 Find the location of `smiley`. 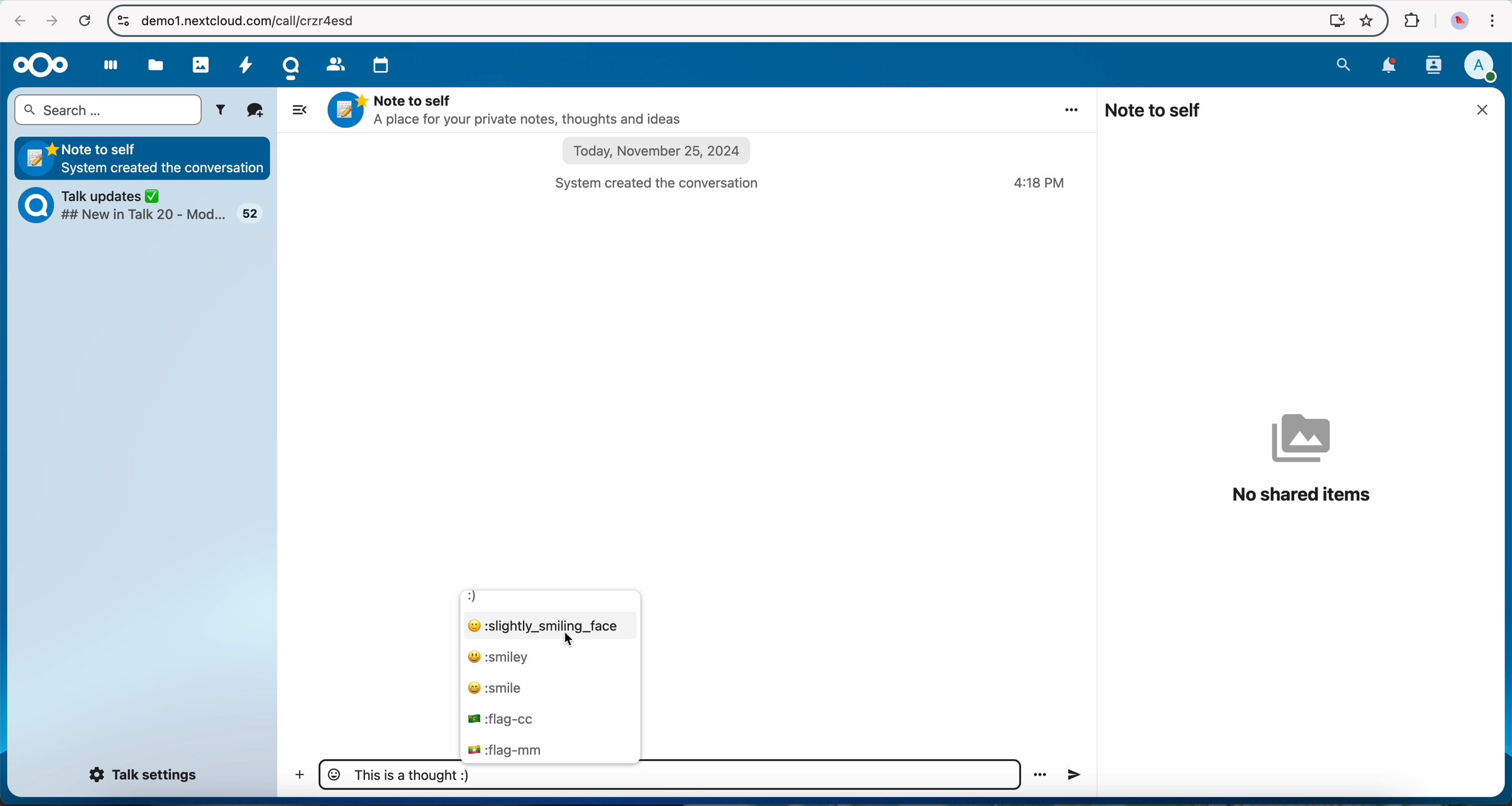

smiley is located at coordinates (504, 658).